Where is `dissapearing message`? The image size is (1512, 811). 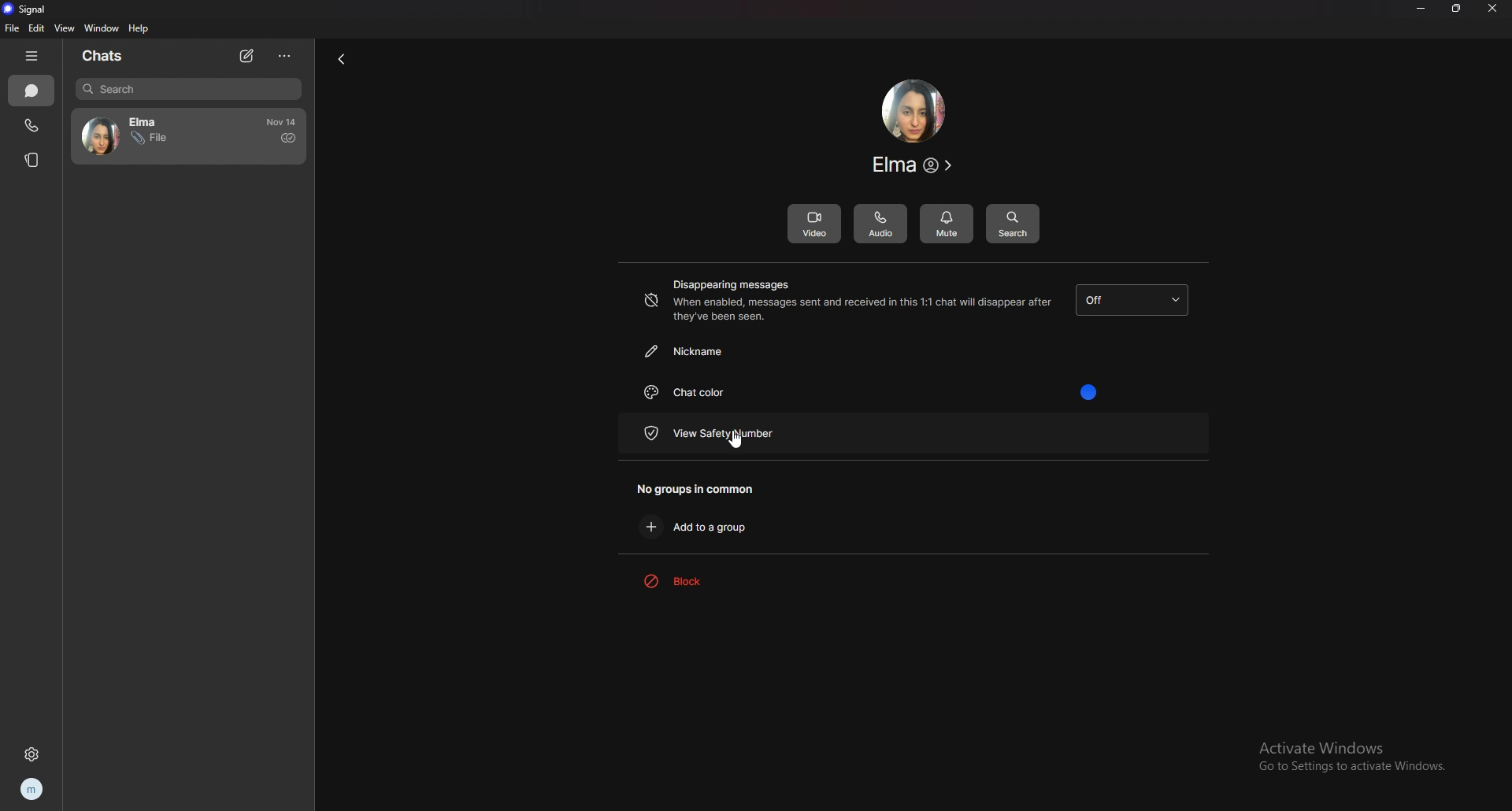
dissapearing message is located at coordinates (1132, 300).